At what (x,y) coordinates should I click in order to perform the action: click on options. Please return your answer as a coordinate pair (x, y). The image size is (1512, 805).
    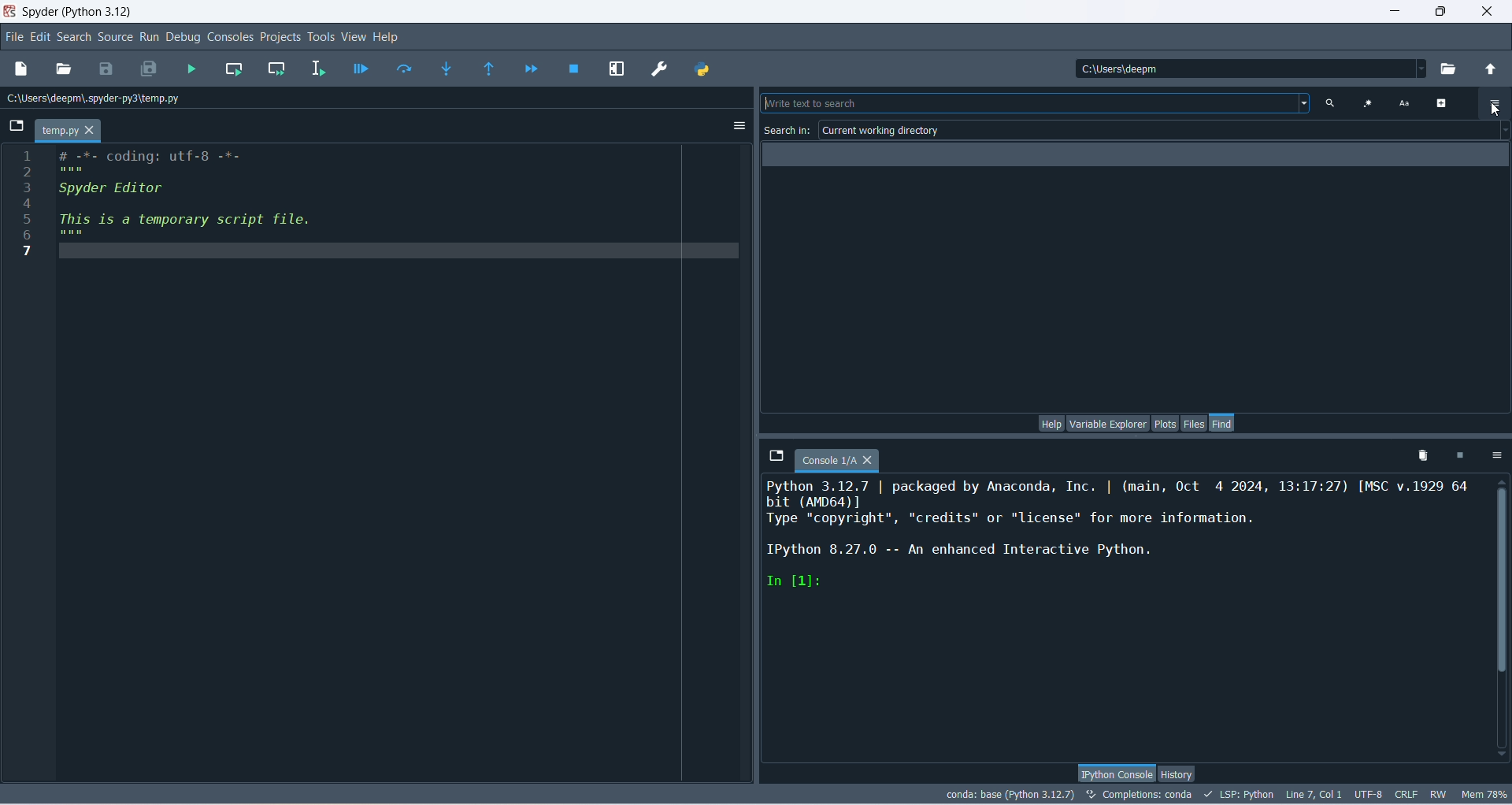
    Looking at the image, I should click on (1496, 457).